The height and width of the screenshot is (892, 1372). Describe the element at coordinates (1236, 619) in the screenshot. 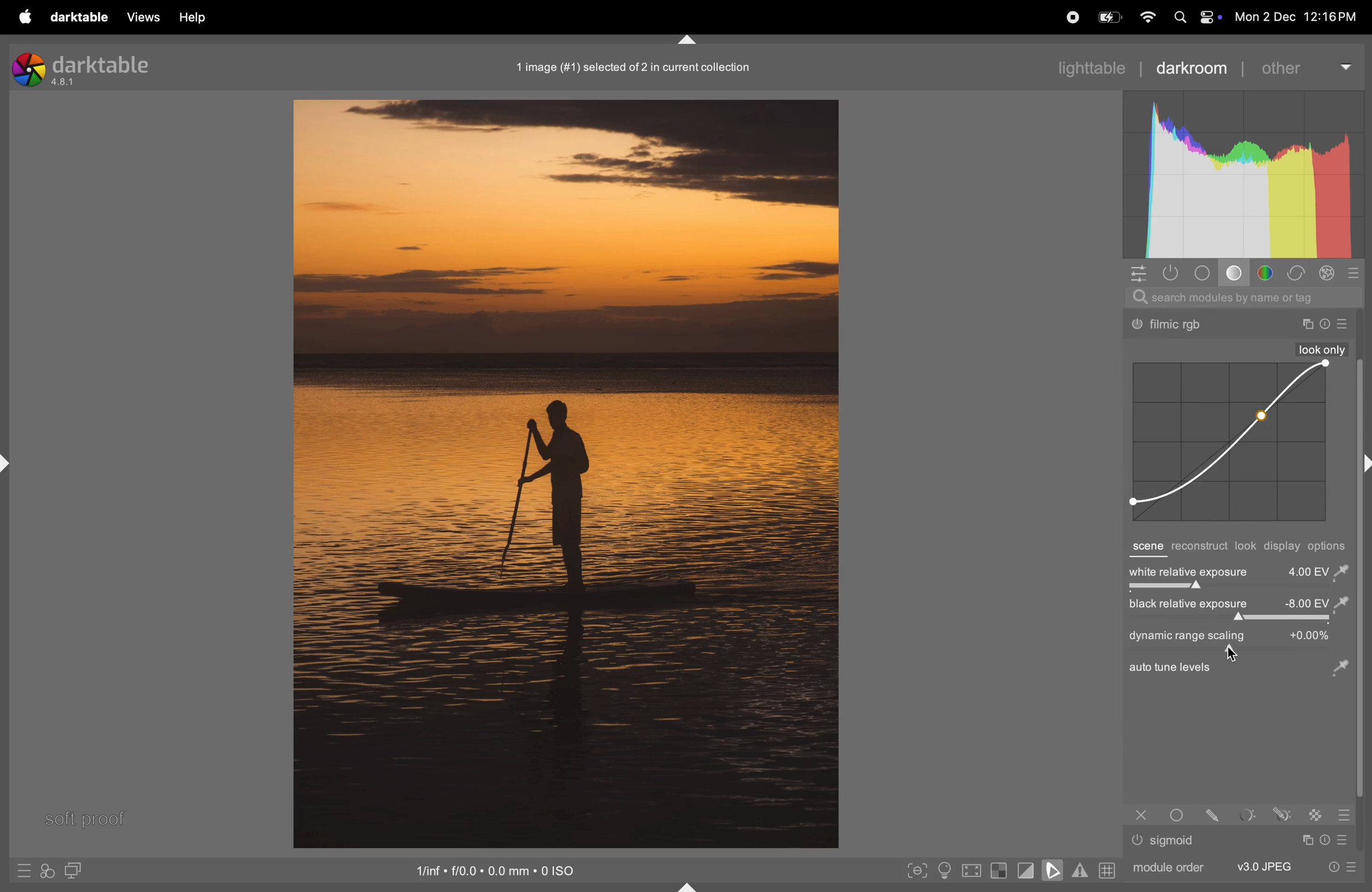

I see `toggle bar` at that location.